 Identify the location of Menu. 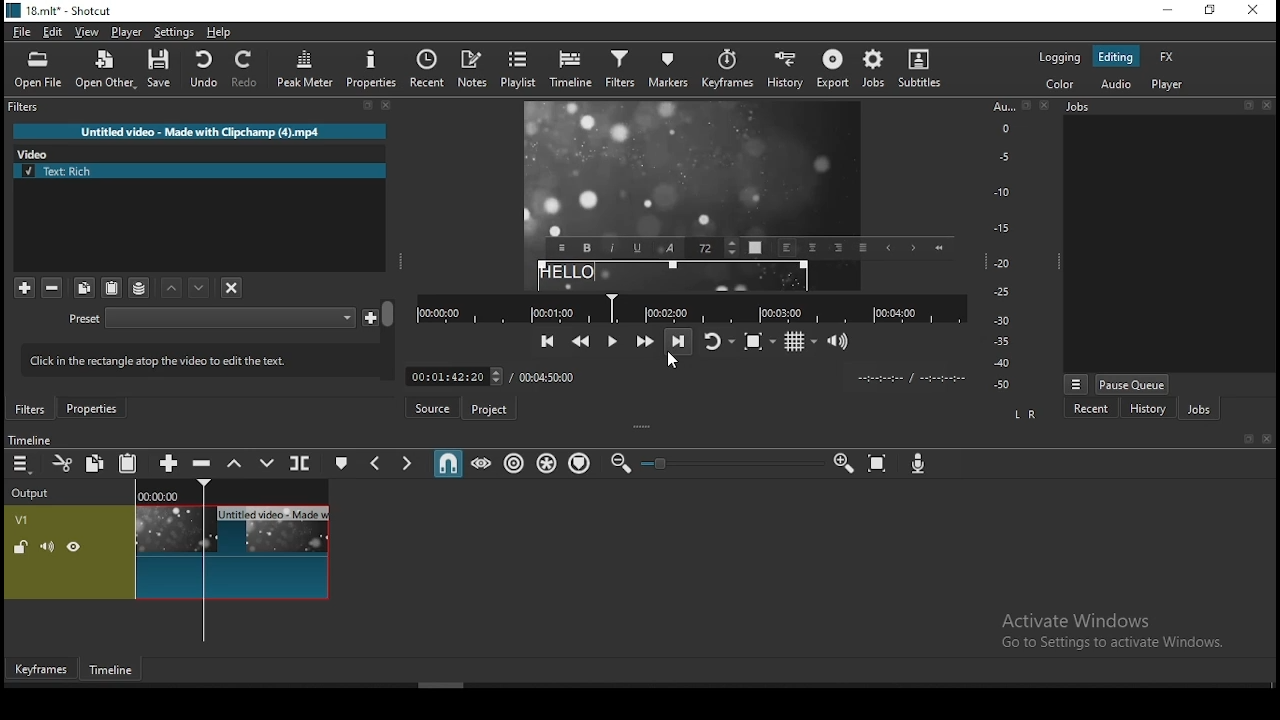
(1076, 384).